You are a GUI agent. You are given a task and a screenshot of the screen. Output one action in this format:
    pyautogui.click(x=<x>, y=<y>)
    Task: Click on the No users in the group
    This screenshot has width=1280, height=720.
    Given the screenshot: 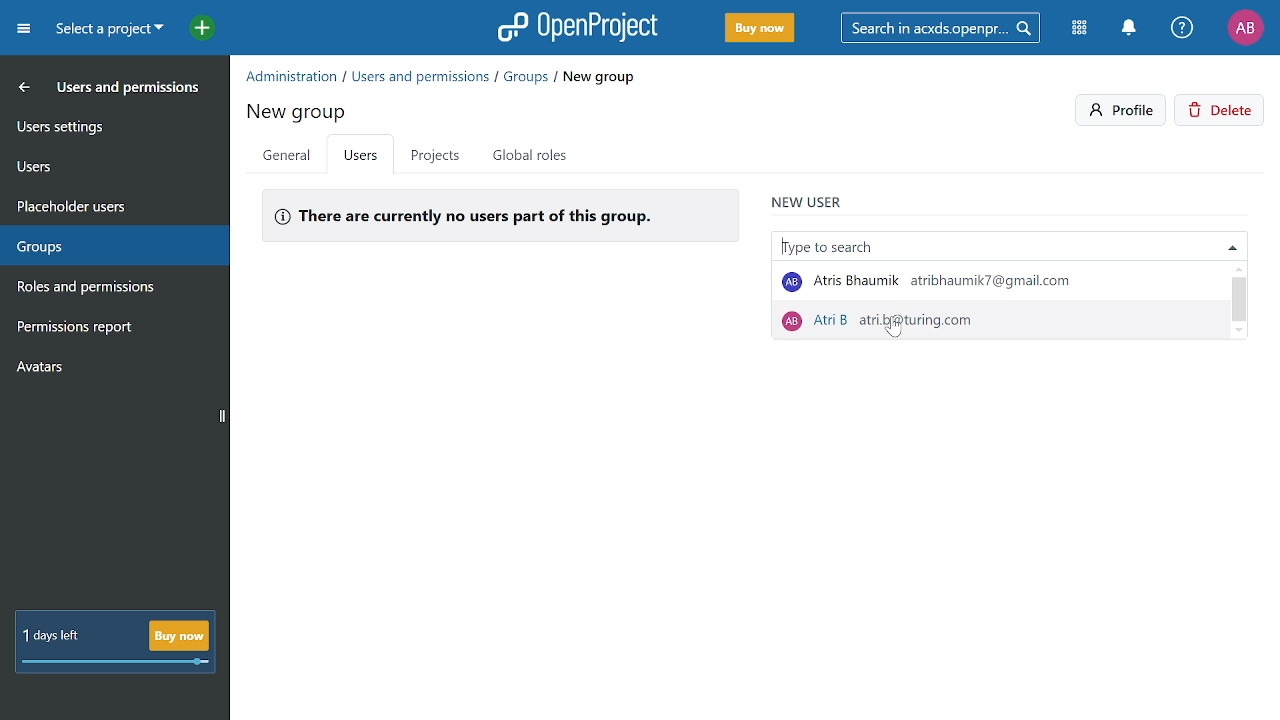 What is the action you would take?
    pyautogui.click(x=499, y=214)
    